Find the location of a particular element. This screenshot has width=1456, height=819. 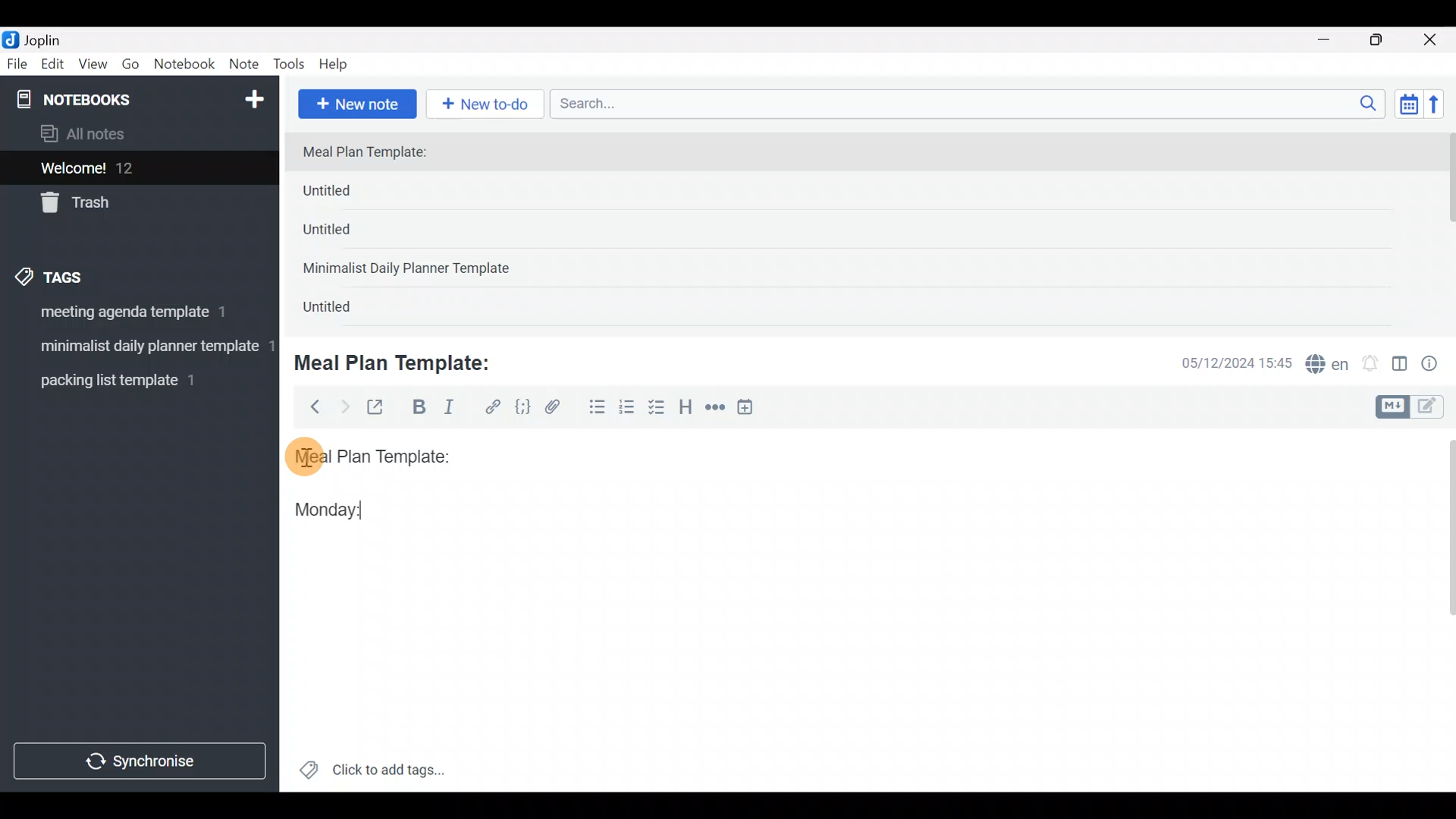

Help is located at coordinates (339, 61).